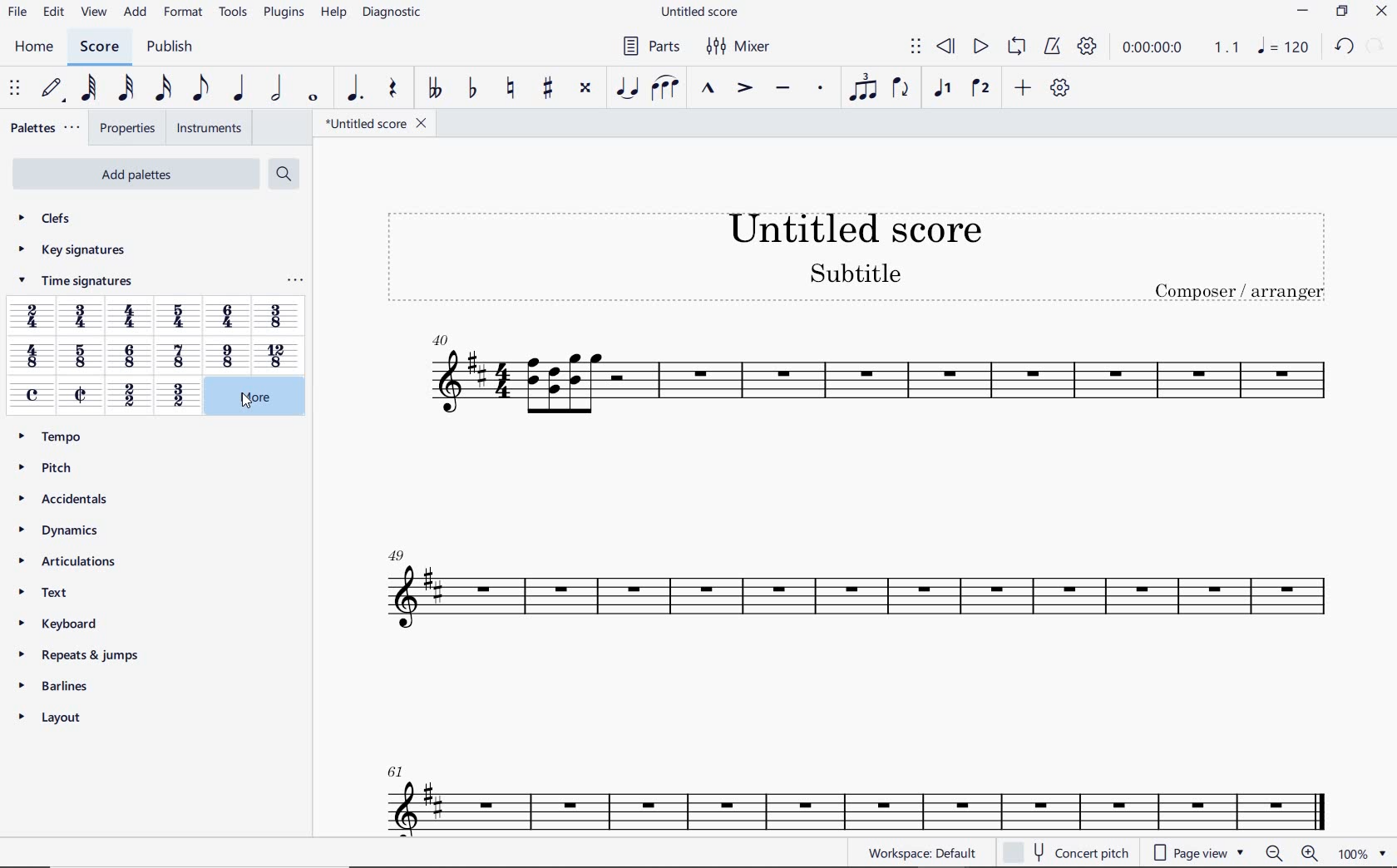 The width and height of the screenshot is (1397, 868). What do you see at coordinates (99, 47) in the screenshot?
I see `SCORE` at bounding box center [99, 47].